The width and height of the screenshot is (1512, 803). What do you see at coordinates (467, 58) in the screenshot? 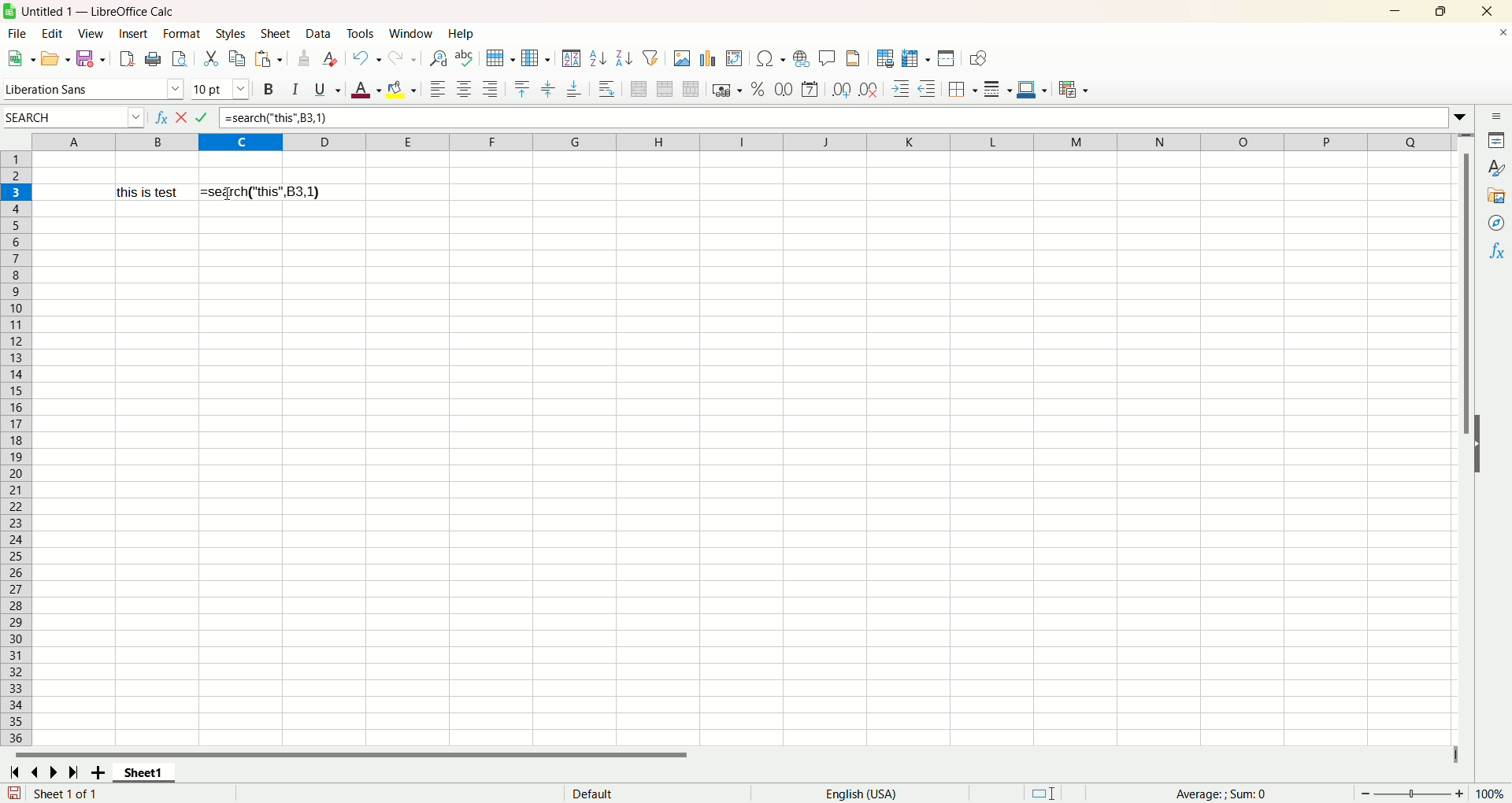
I see `spell check` at bounding box center [467, 58].